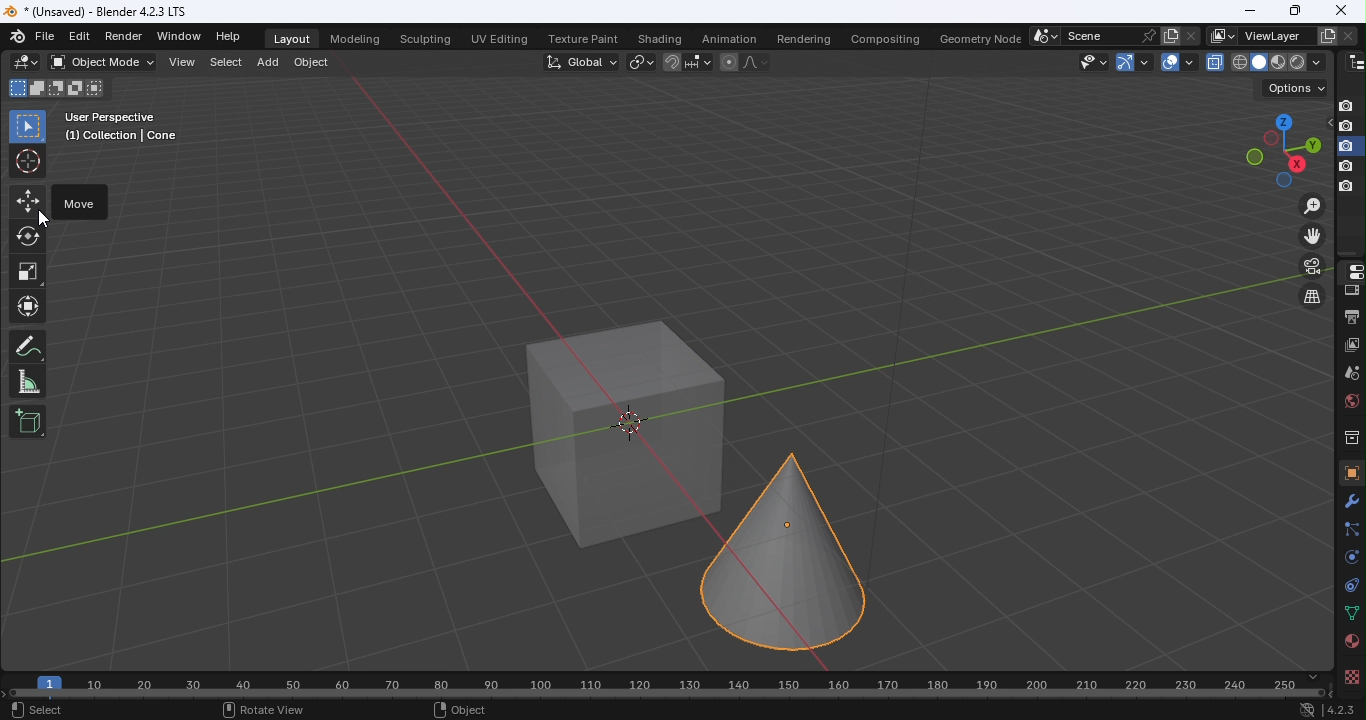 Image resolution: width=1366 pixels, height=720 pixels. Describe the element at coordinates (584, 60) in the screenshot. I see `Transformation orientation` at that location.